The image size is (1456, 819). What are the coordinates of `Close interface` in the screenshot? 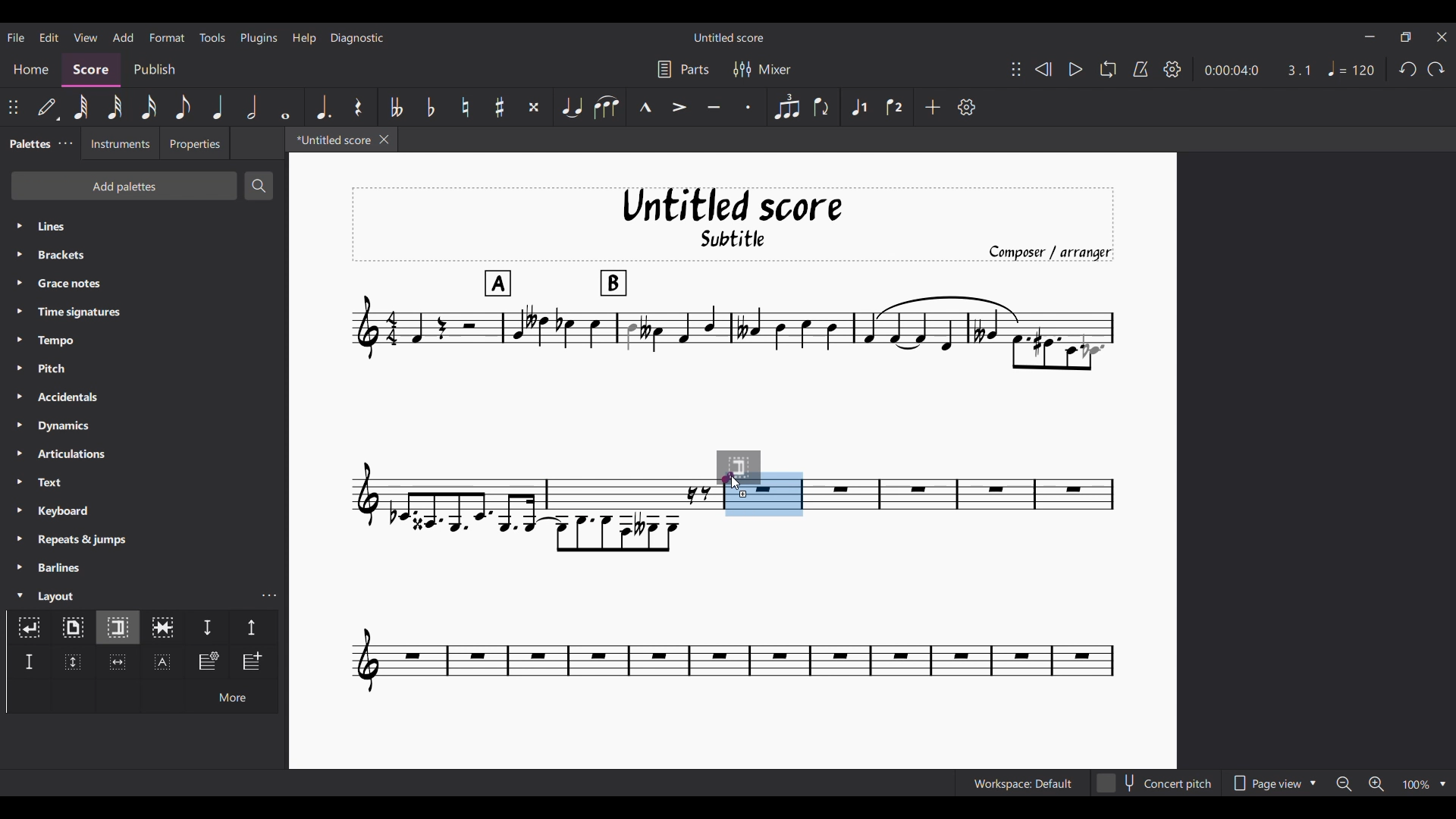 It's located at (1442, 37).